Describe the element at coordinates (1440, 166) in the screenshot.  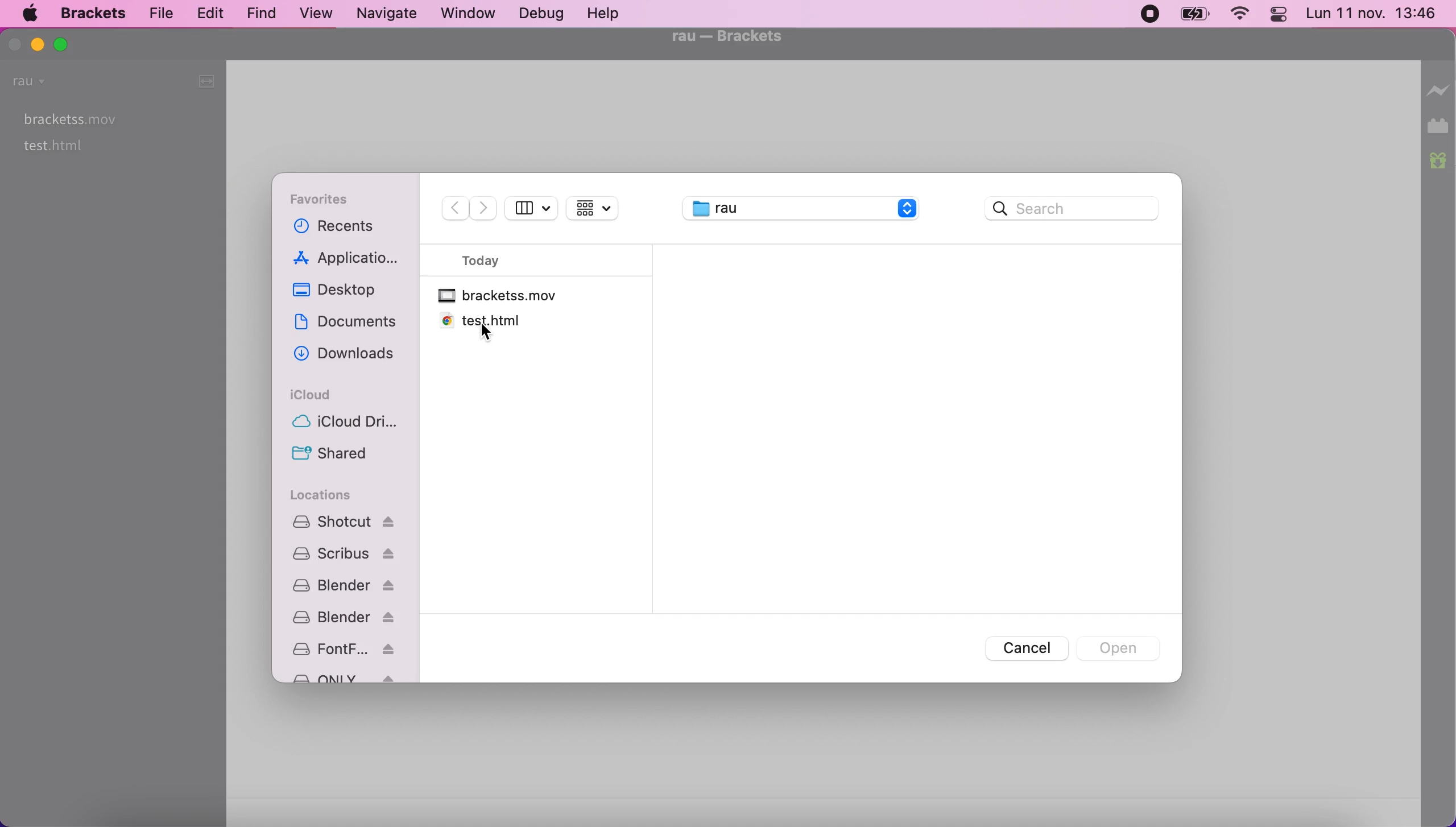
I see `new builds of brackets` at that location.